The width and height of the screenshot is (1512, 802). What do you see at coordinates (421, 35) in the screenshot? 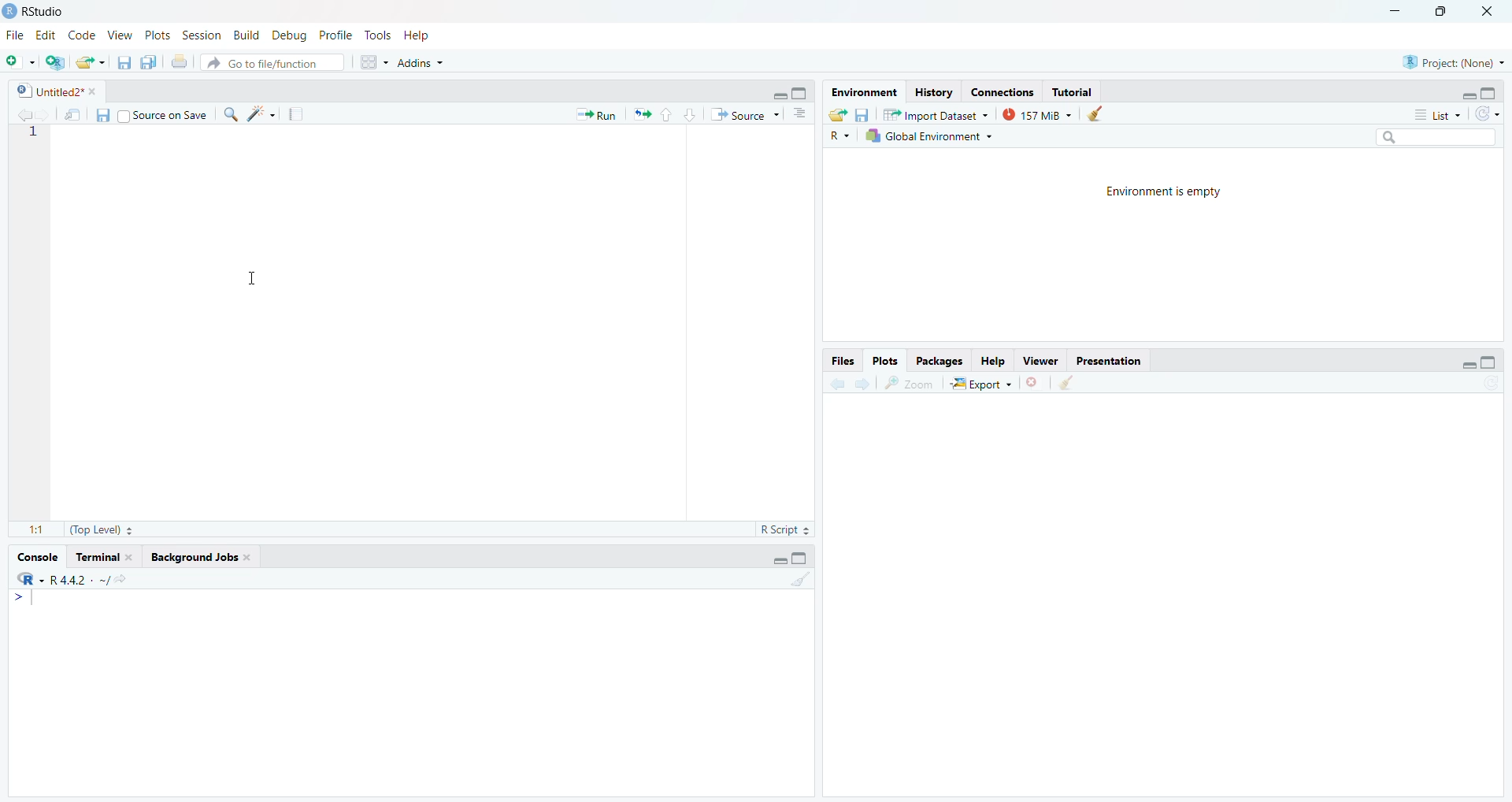
I see `Help` at bounding box center [421, 35].